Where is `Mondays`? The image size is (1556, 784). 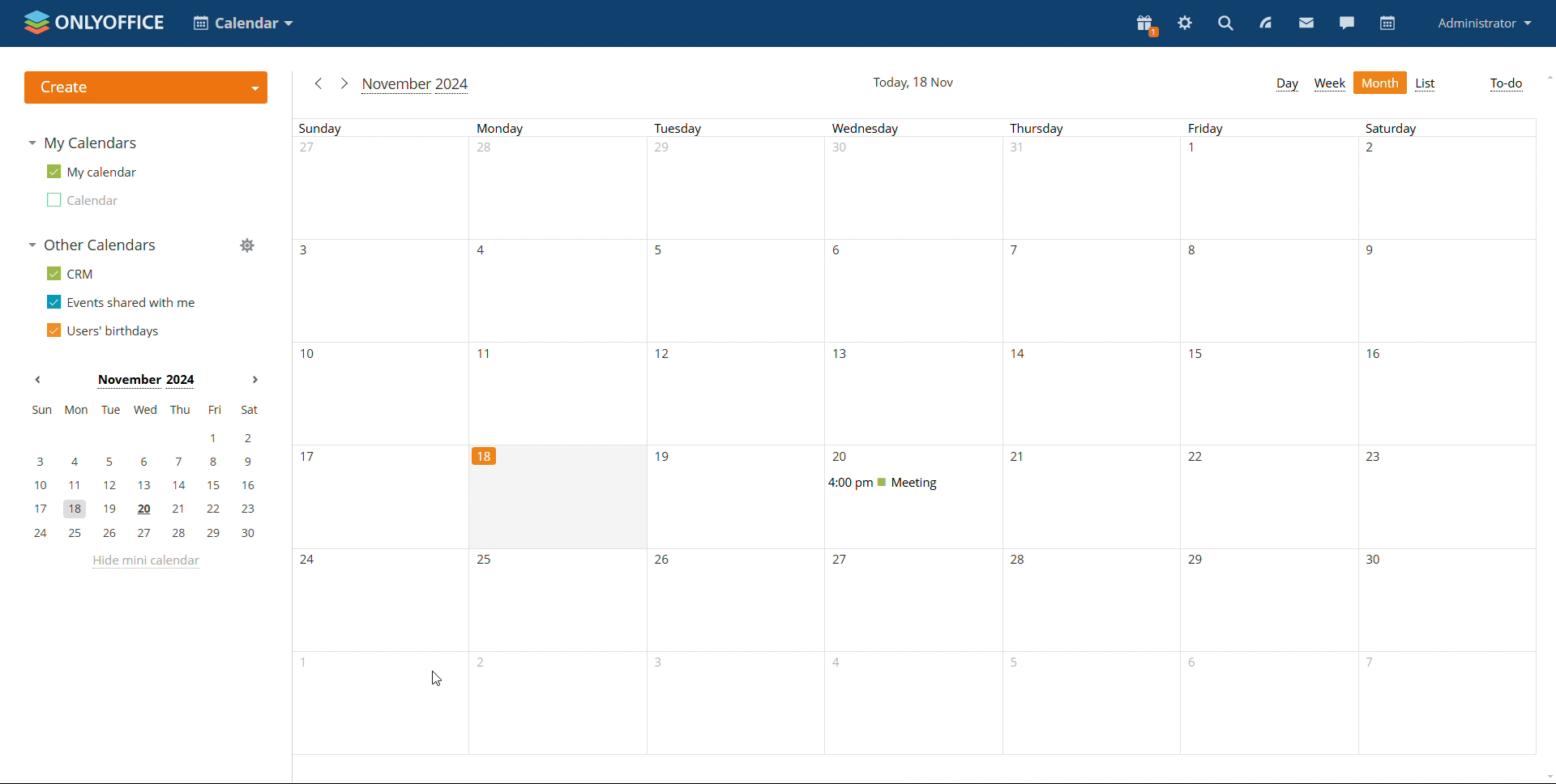
Mondays is located at coordinates (561, 281).